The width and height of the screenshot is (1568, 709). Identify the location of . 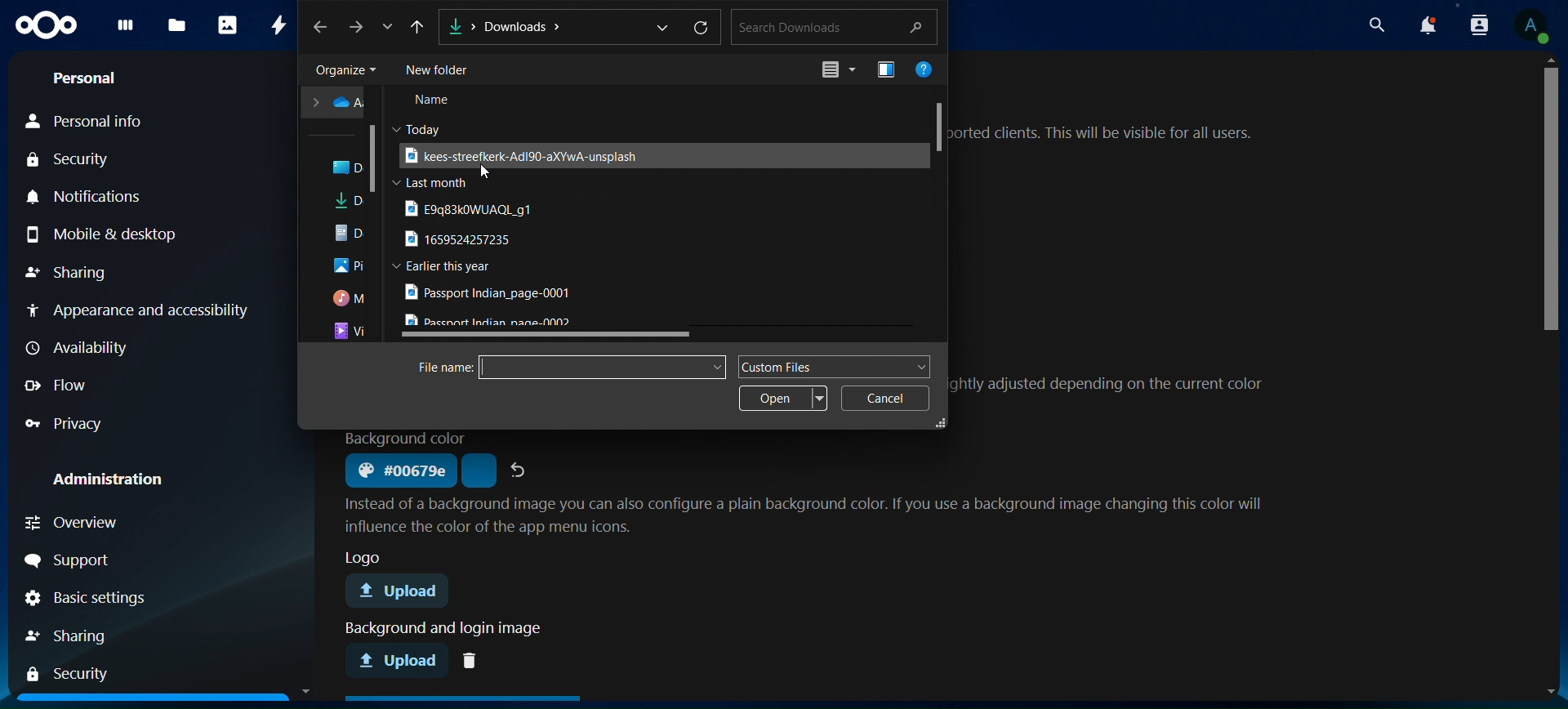
(419, 27).